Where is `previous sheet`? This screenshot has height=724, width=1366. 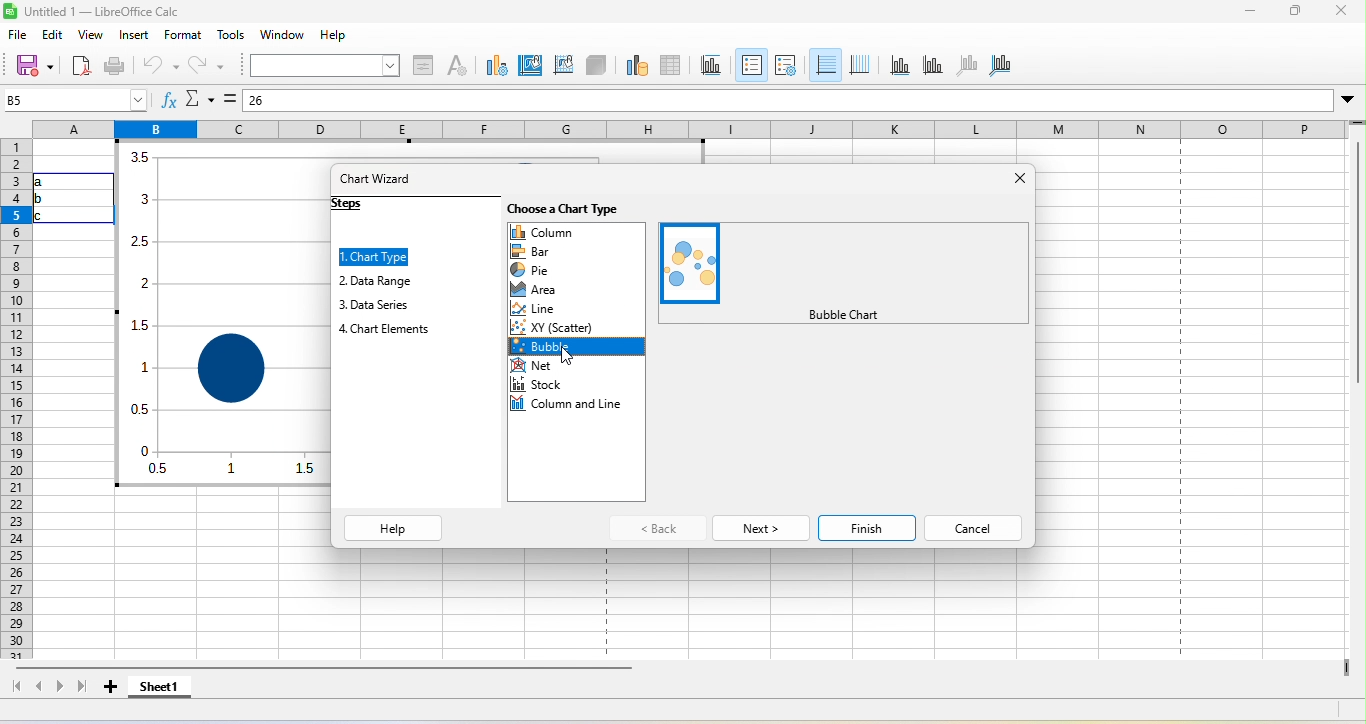
previous sheet is located at coordinates (40, 688).